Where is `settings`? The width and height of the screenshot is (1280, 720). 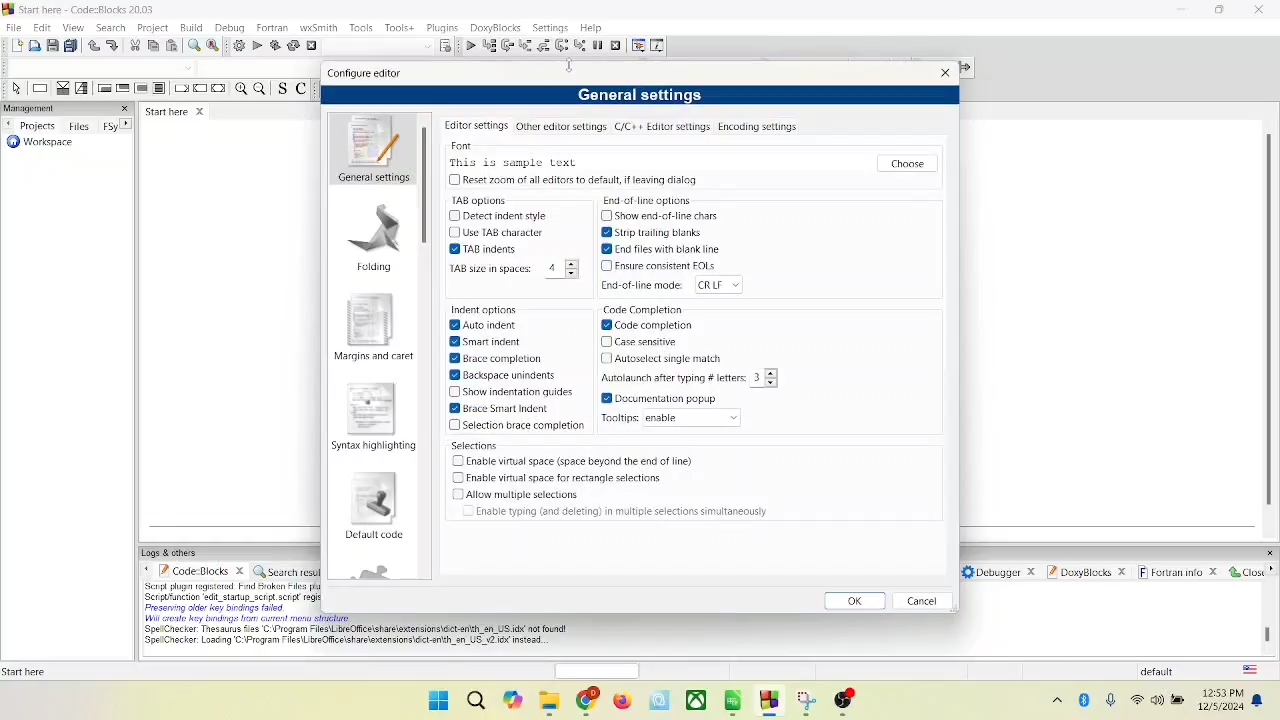 settings is located at coordinates (553, 28).